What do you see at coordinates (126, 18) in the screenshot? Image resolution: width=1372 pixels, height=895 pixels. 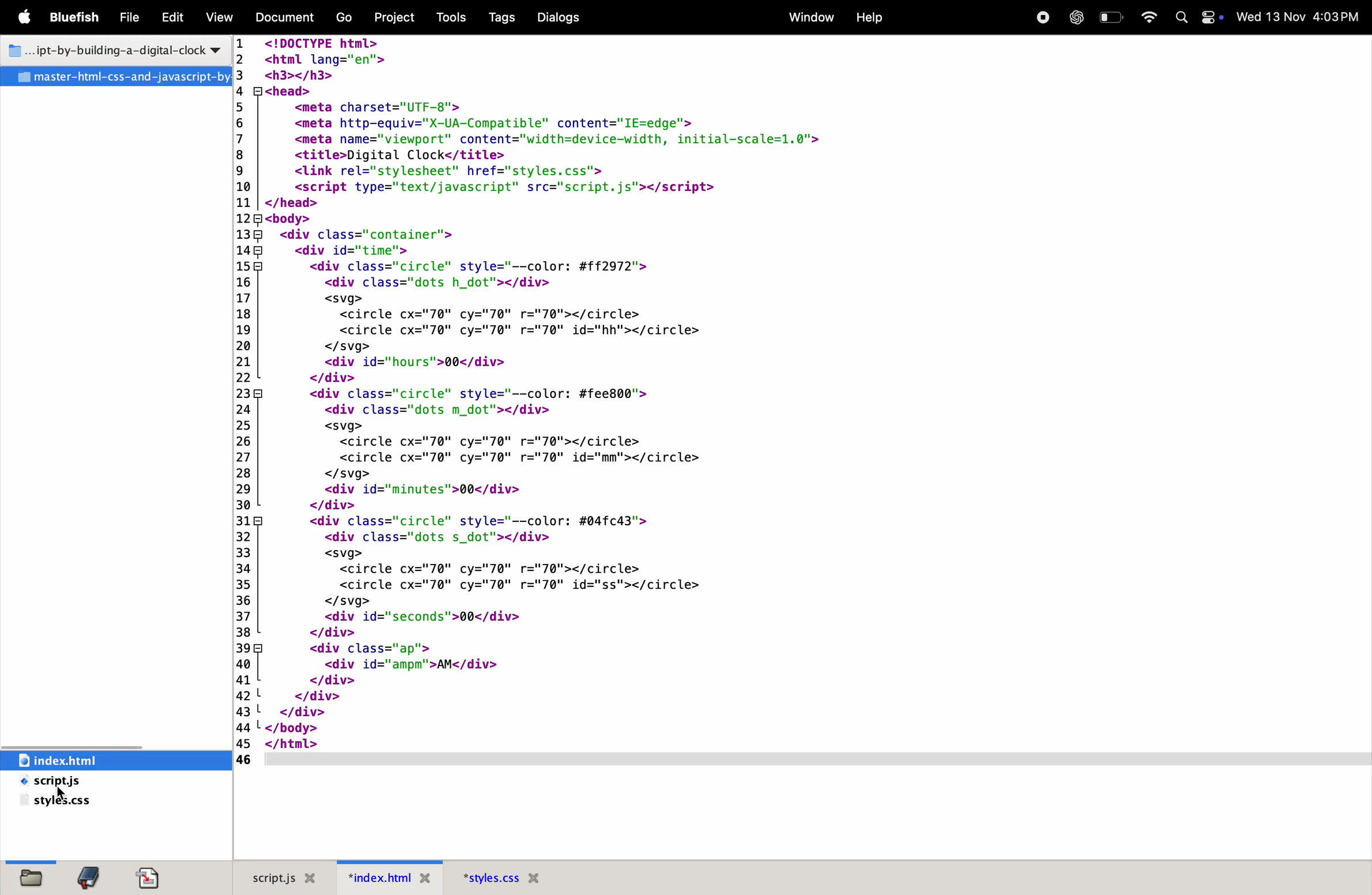 I see `file` at bounding box center [126, 18].